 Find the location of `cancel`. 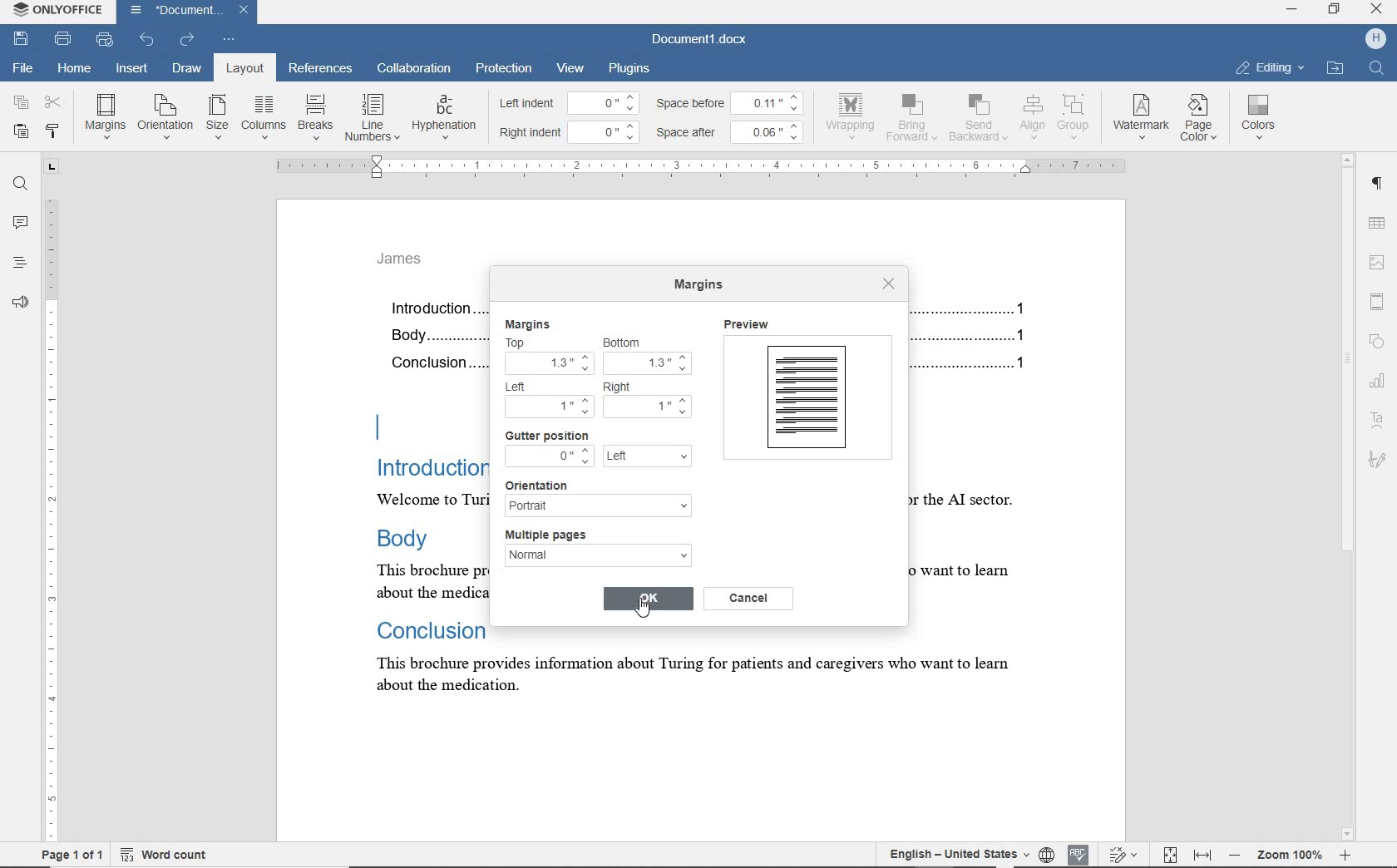

cancel is located at coordinates (751, 598).